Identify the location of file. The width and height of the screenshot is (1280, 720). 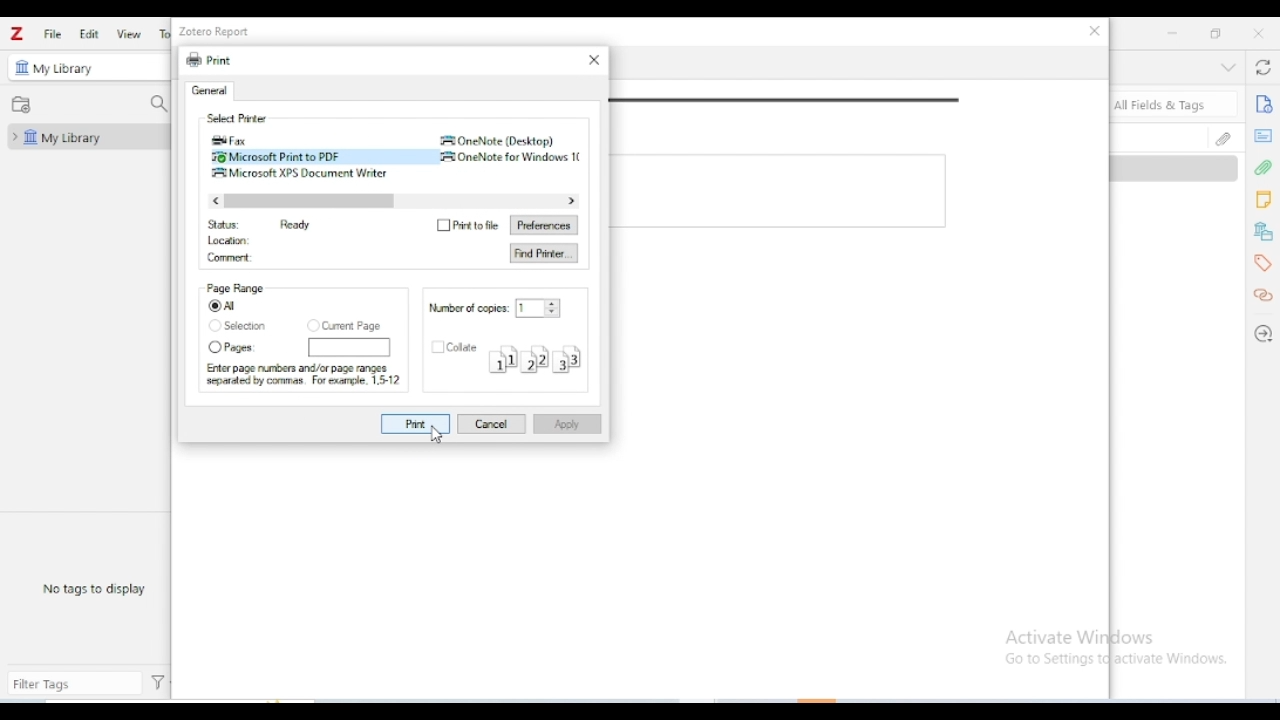
(54, 34).